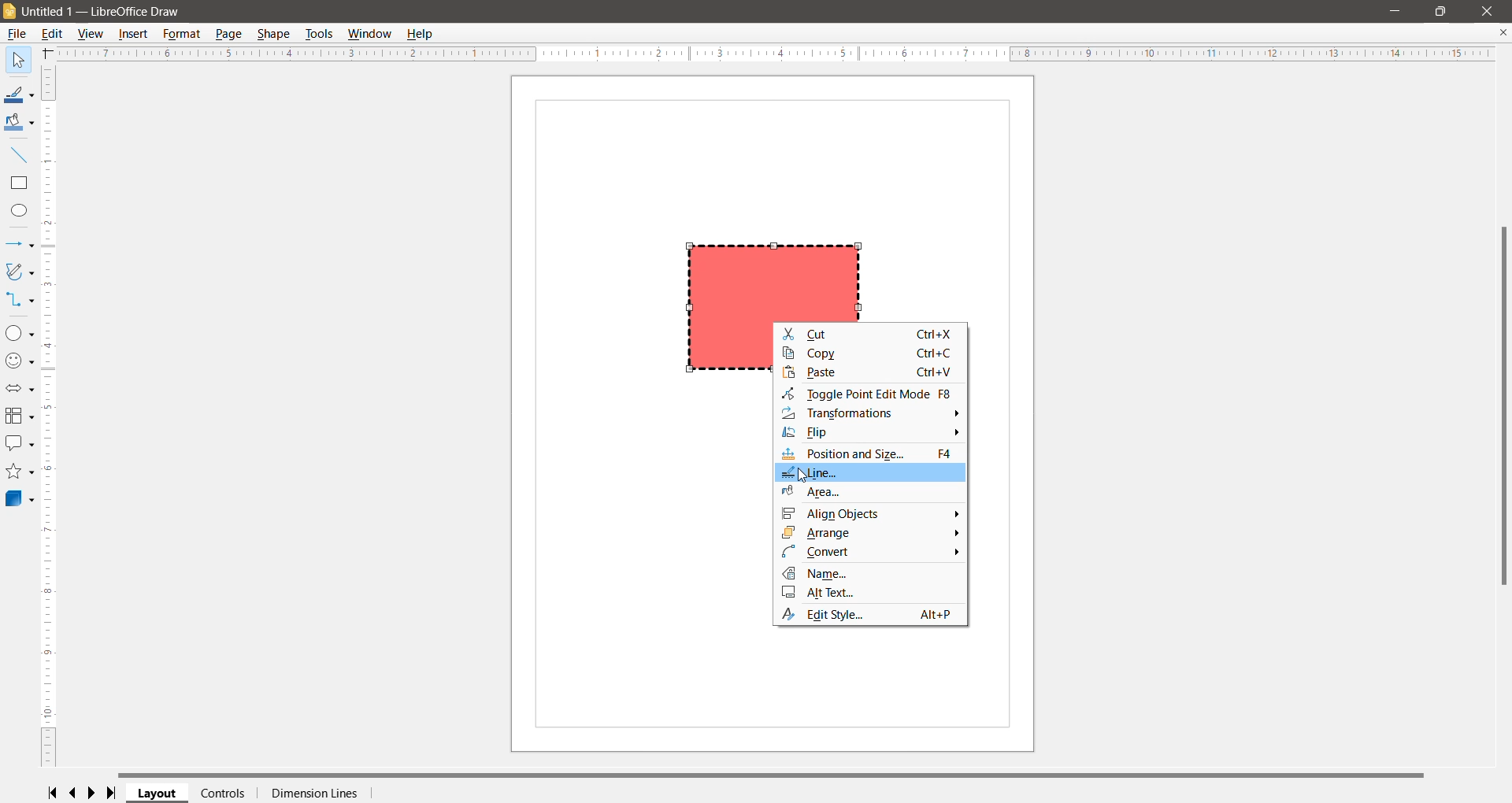 Image resolution: width=1512 pixels, height=803 pixels. What do you see at coordinates (314, 794) in the screenshot?
I see `Dimension Lines` at bounding box center [314, 794].